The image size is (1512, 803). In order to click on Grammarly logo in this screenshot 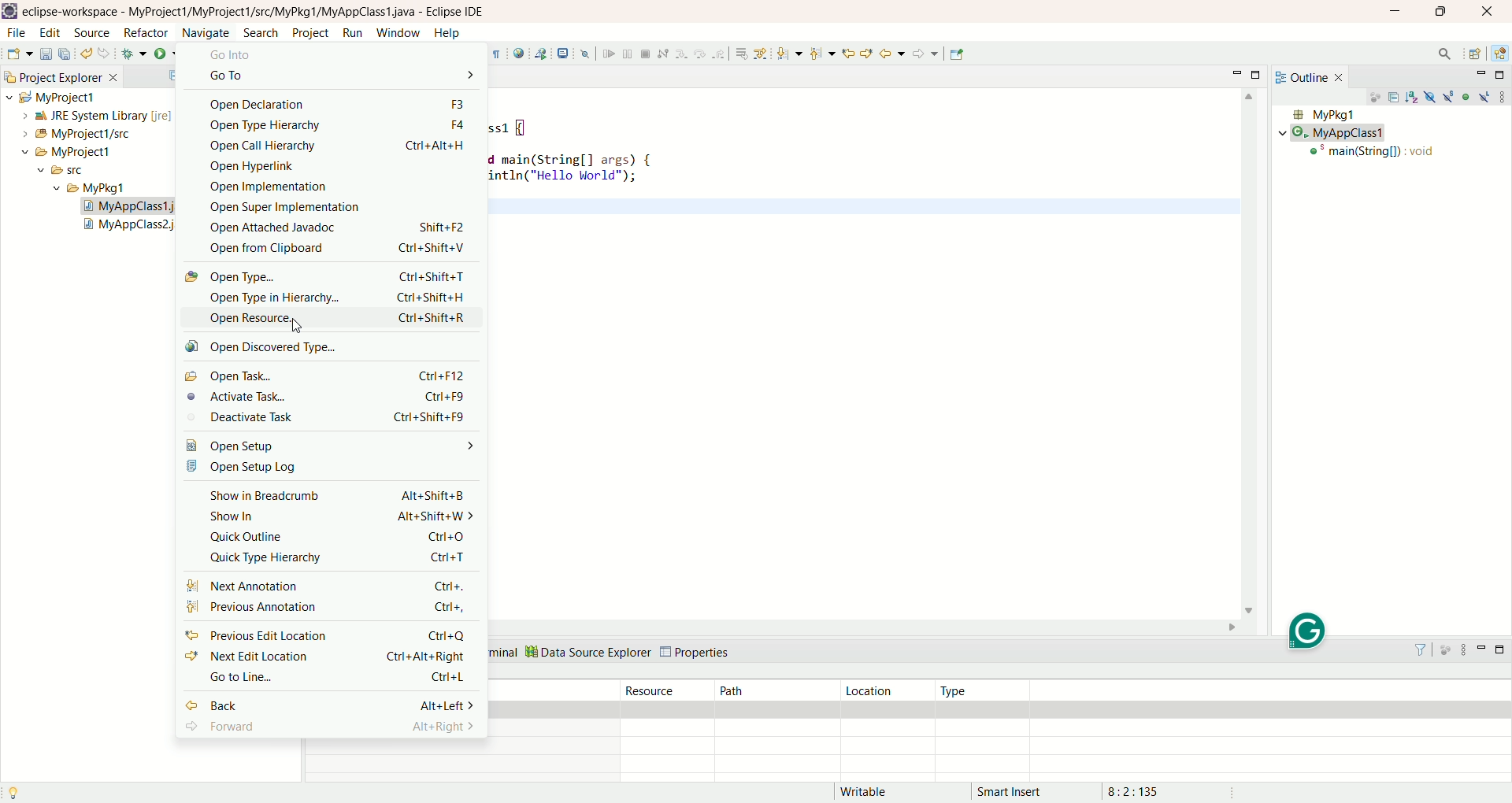, I will do `click(1307, 630)`.